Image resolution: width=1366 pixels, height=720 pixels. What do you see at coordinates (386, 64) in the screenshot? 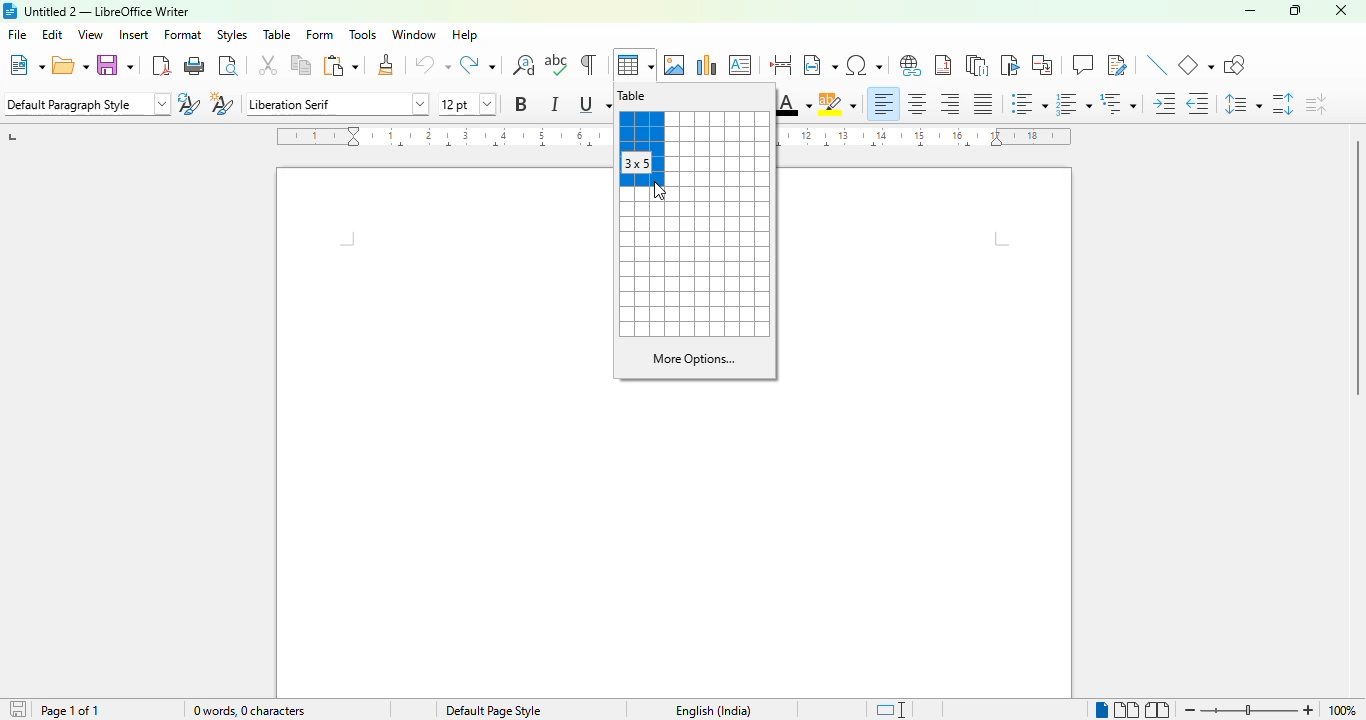
I see `clone formatting` at bounding box center [386, 64].